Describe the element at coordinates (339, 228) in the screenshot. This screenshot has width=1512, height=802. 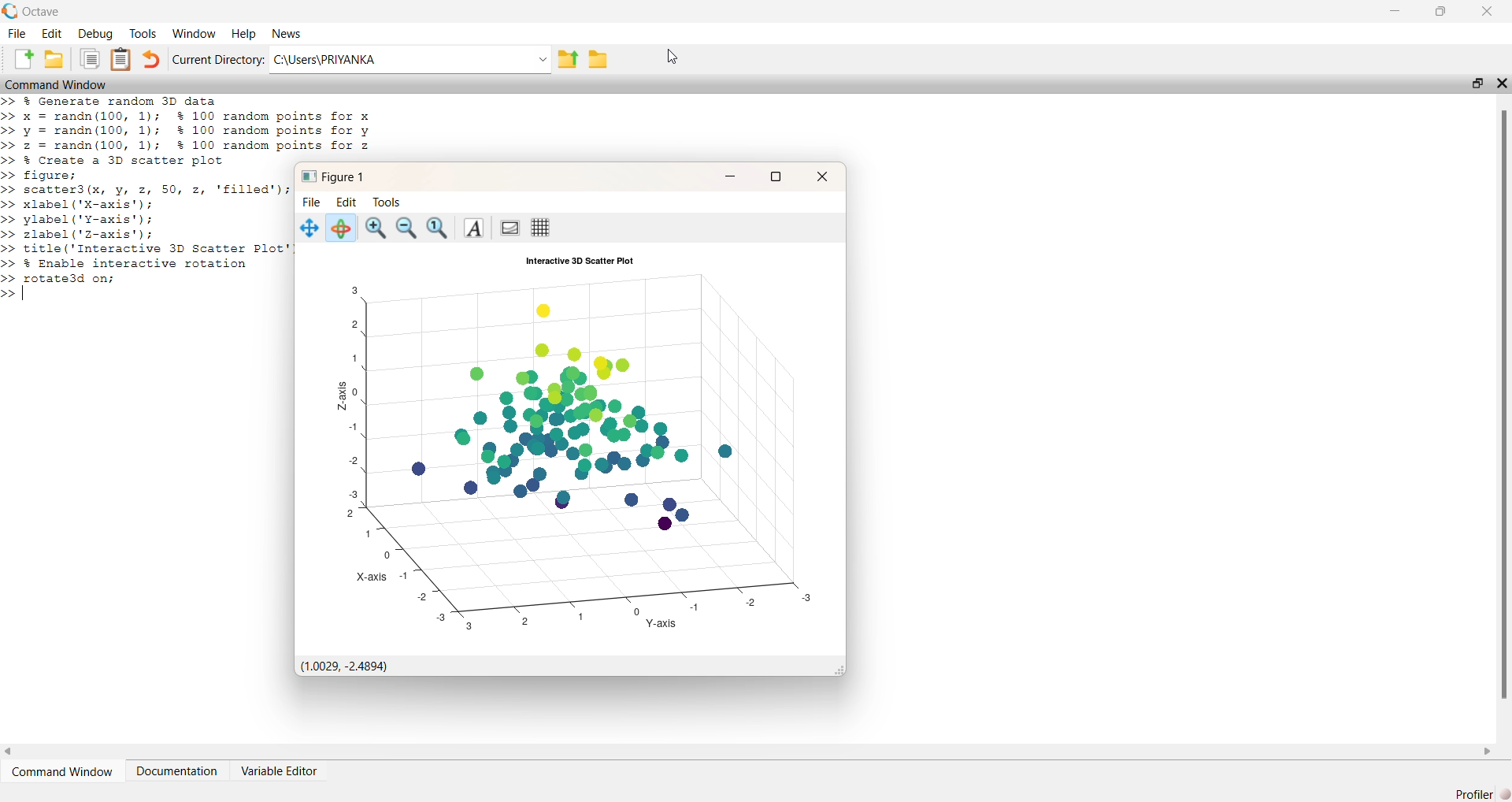
I see `rotate` at that location.